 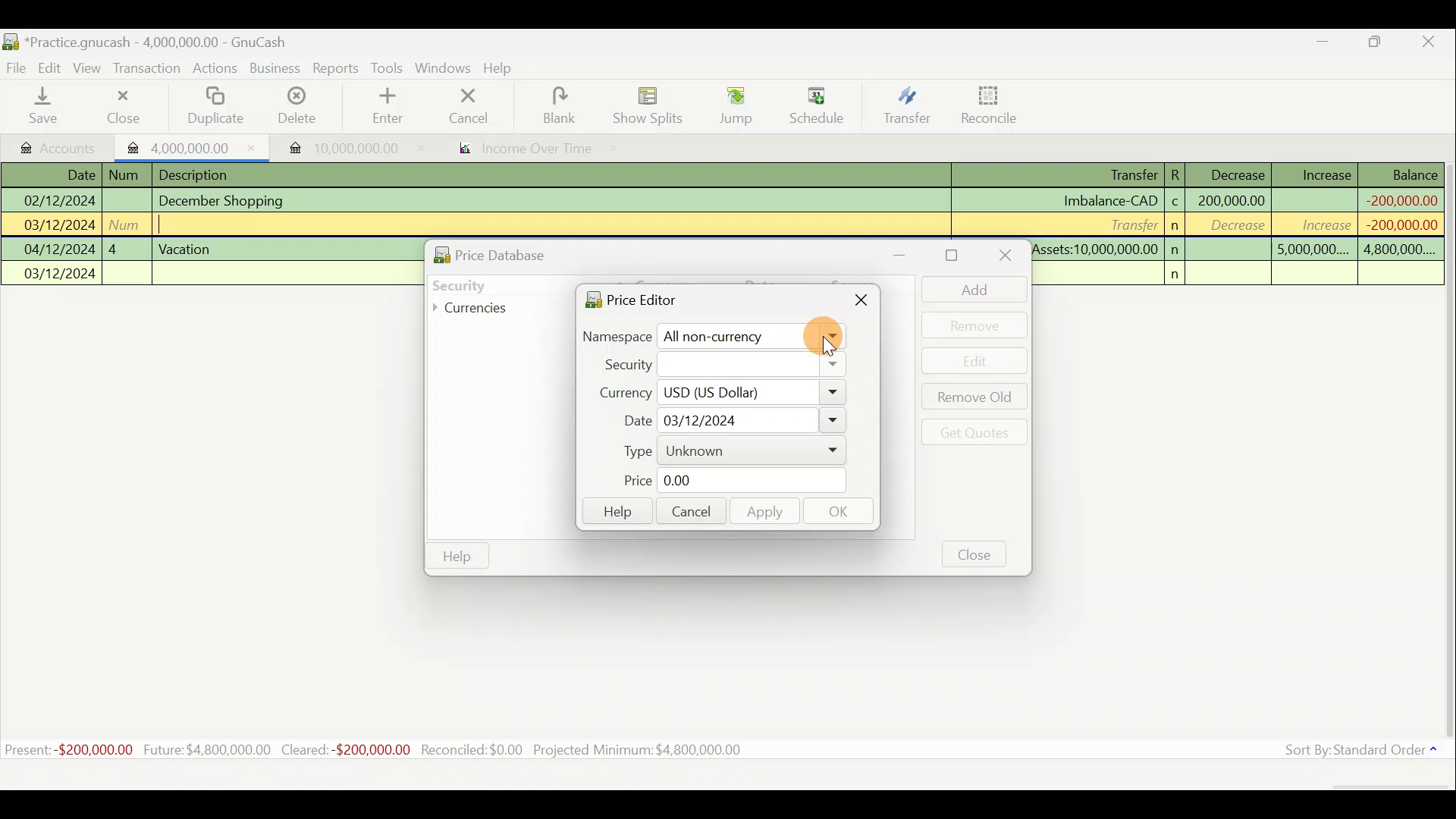 What do you see at coordinates (727, 421) in the screenshot?
I see `Date` at bounding box center [727, 421].